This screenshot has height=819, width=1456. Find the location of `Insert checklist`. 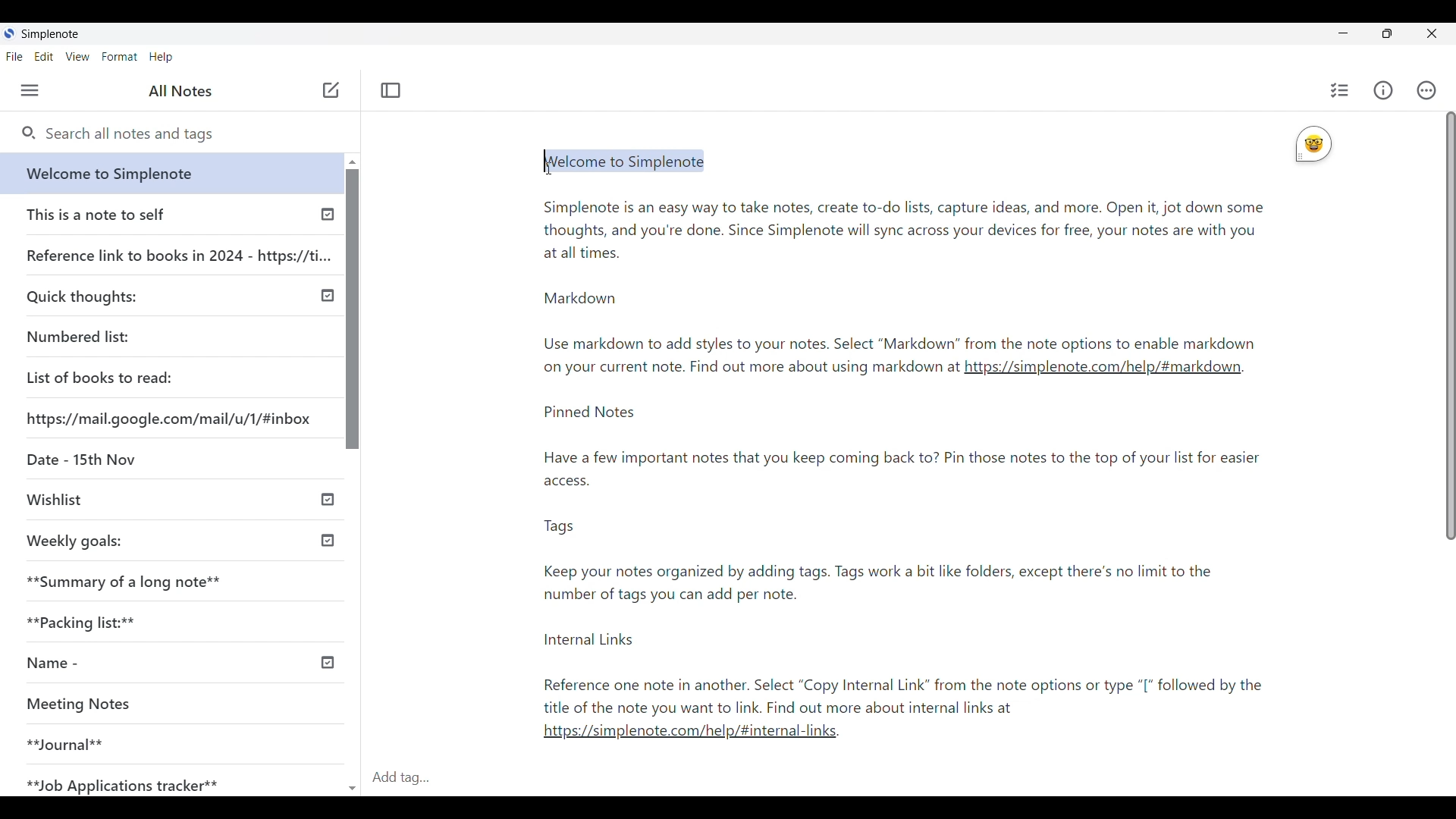

Insert checklist is located at coordinates (1340, 90).